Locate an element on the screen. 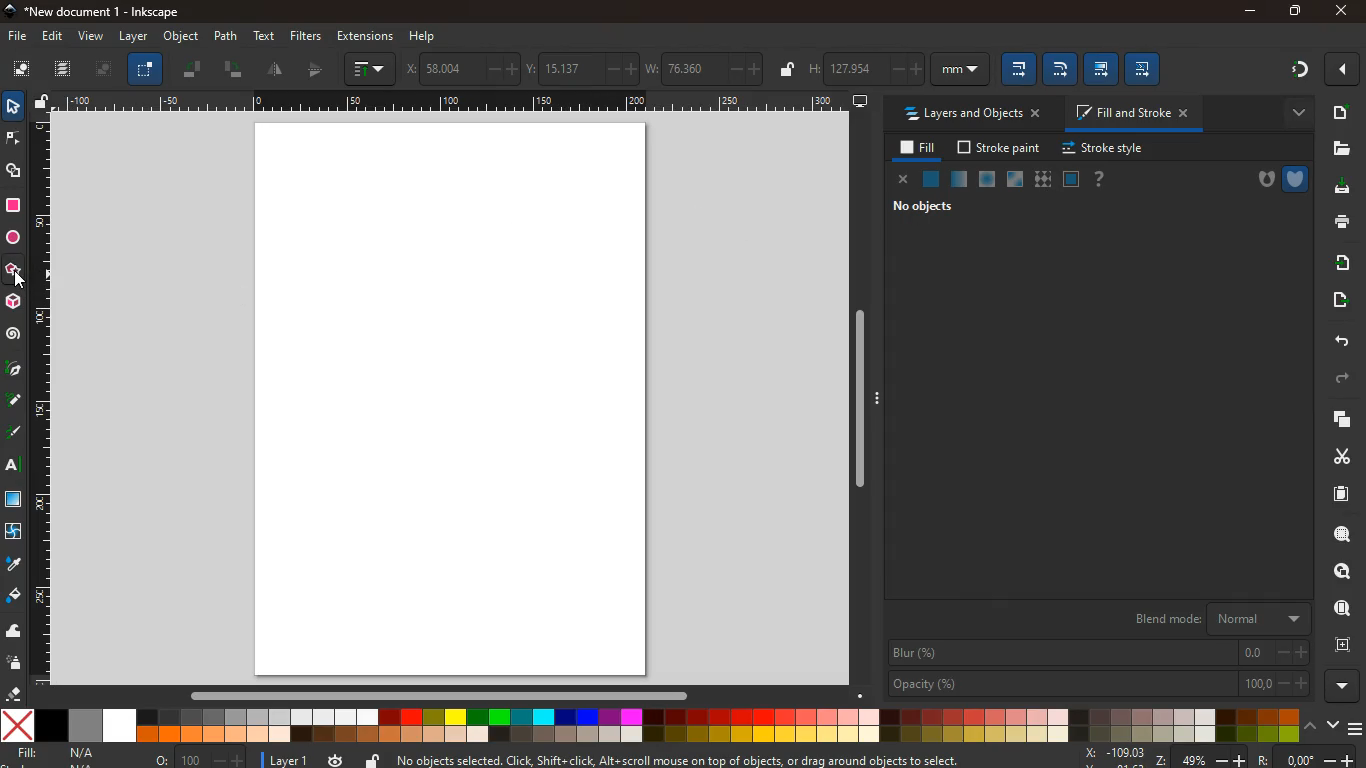  text is located at coordinates (14, 464).